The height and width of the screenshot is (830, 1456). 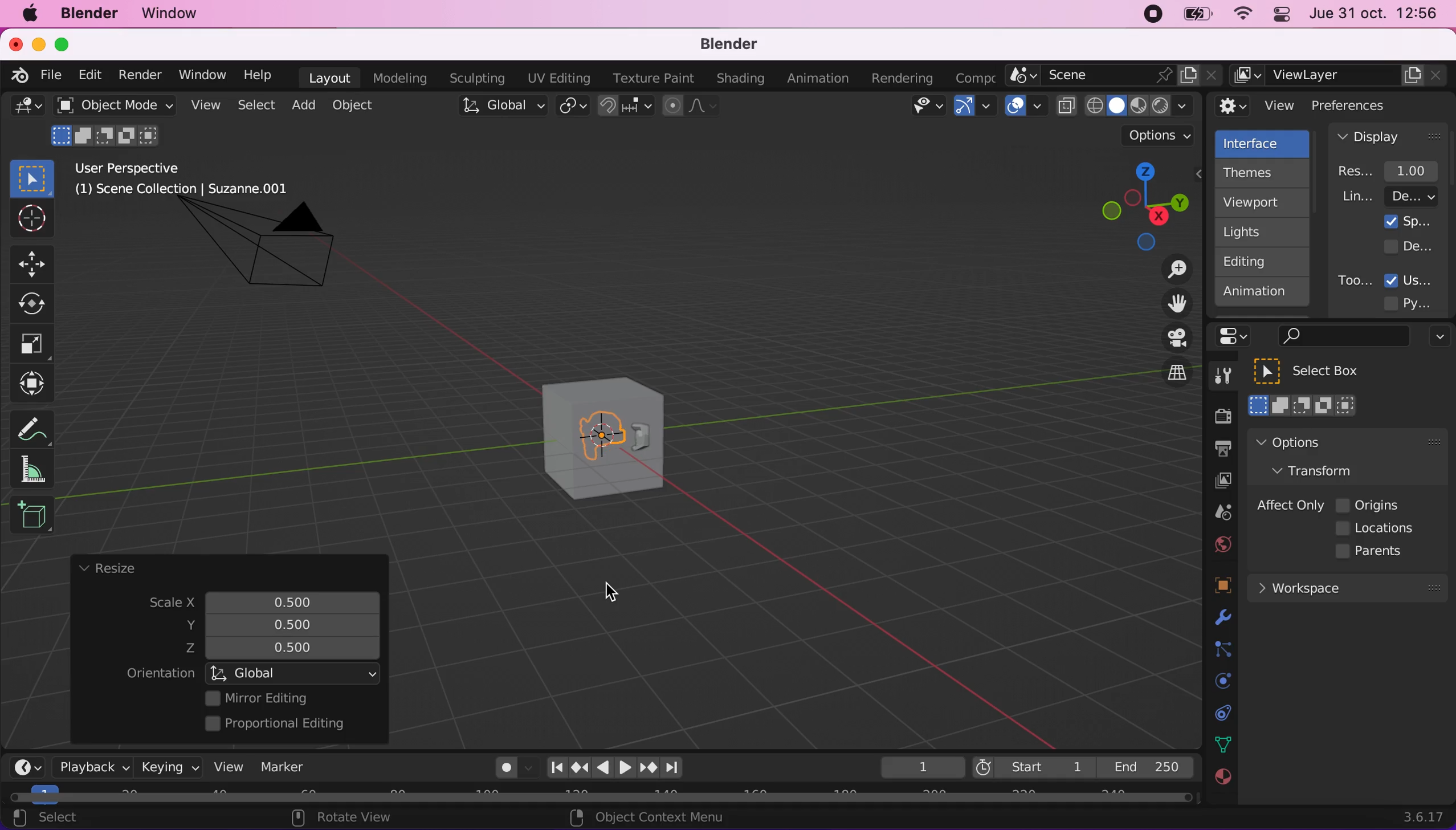 What do you see at coordinates (1341, 337) in the screenshot?
I see `search` at bounding box center [1341, 337].